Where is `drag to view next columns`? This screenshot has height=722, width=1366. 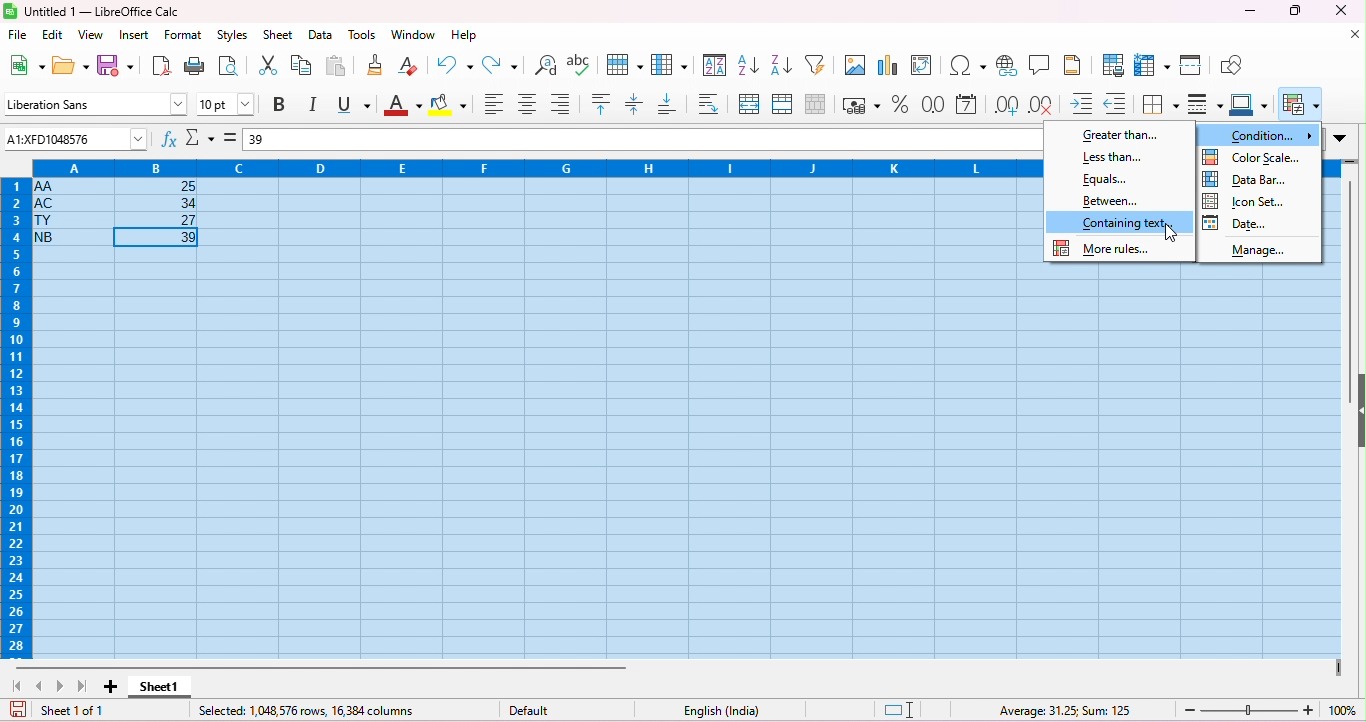 drag to view next columns is located at coordinates (1337, 666).